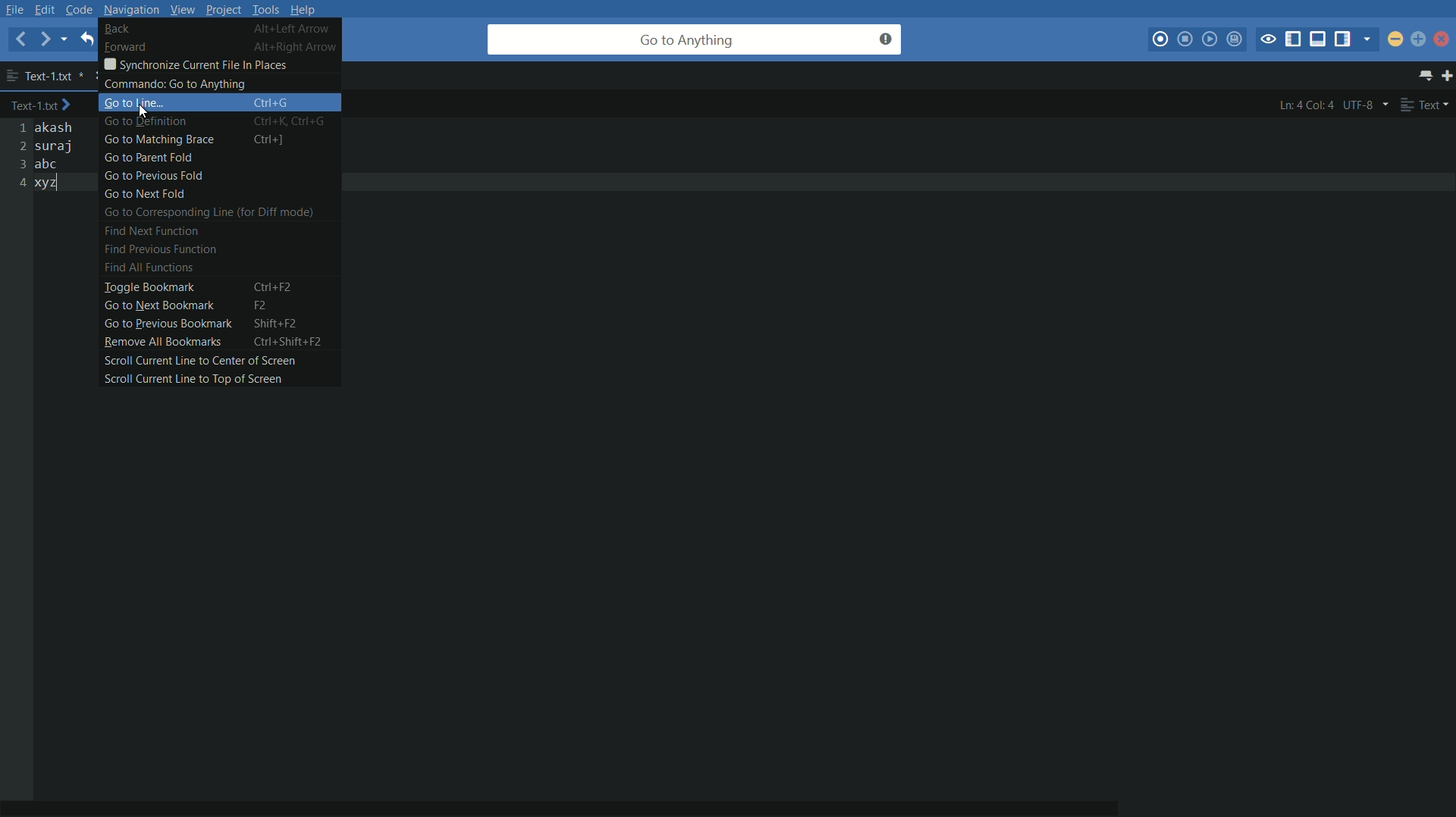  What do you see at coordinates (1345, 39) in the screenshot?
I see `show/hide right panel` at bounding box center [1345, 39].